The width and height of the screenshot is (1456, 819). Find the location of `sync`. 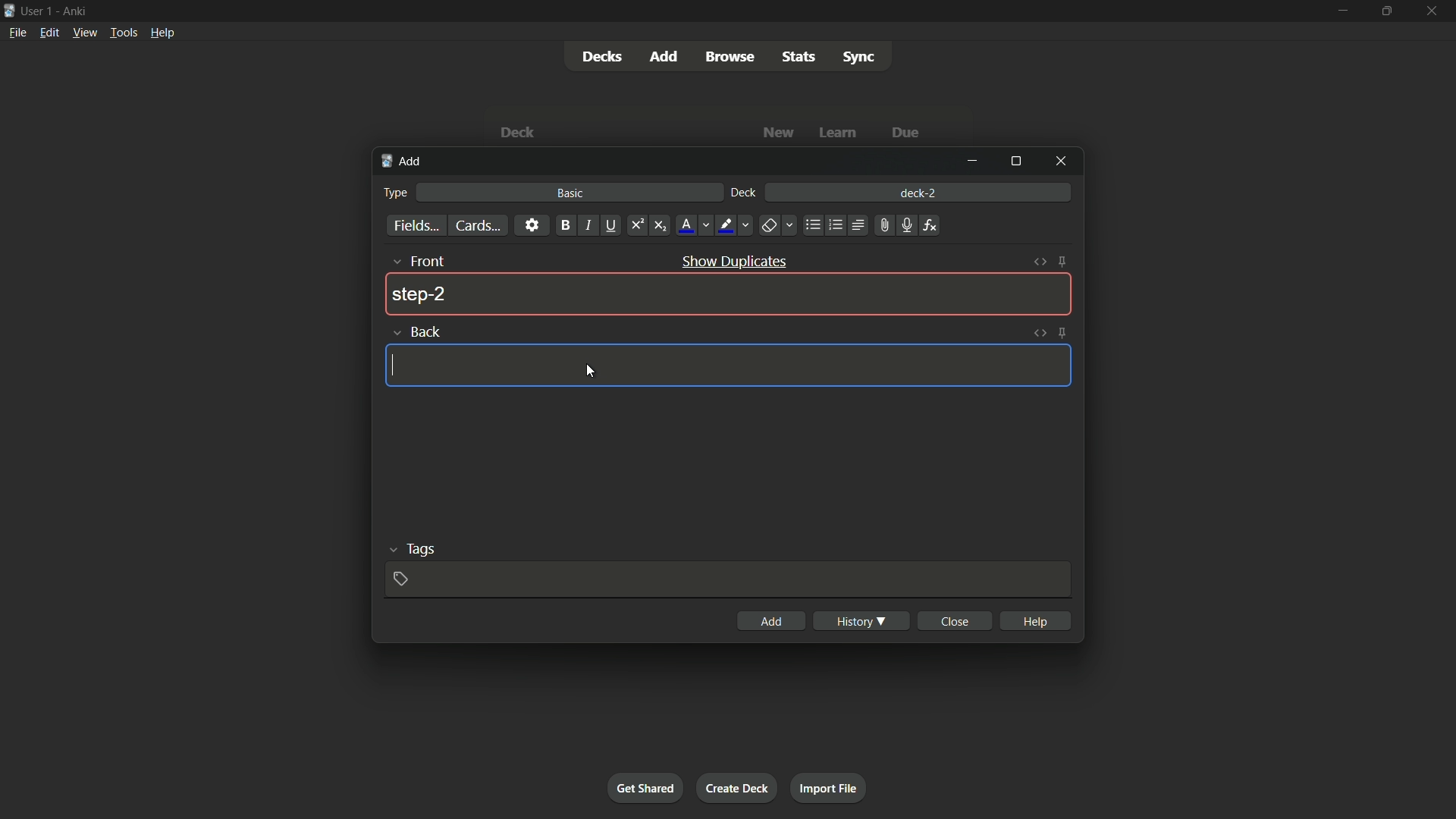

sync is located at coordinates (859, 58).